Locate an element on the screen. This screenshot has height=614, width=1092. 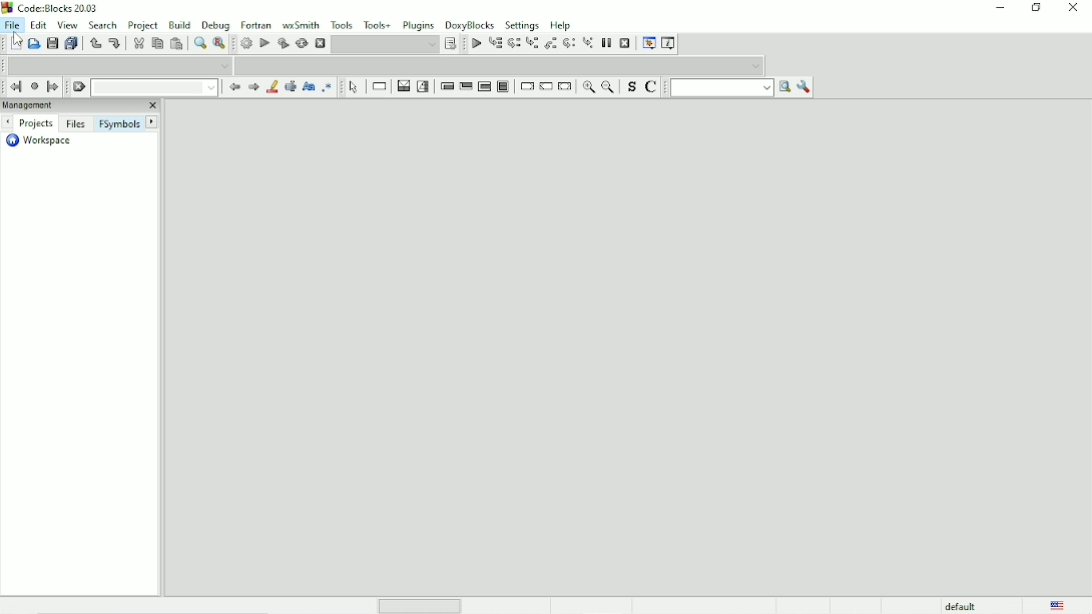
Selection is located at coordinates (423, 86).